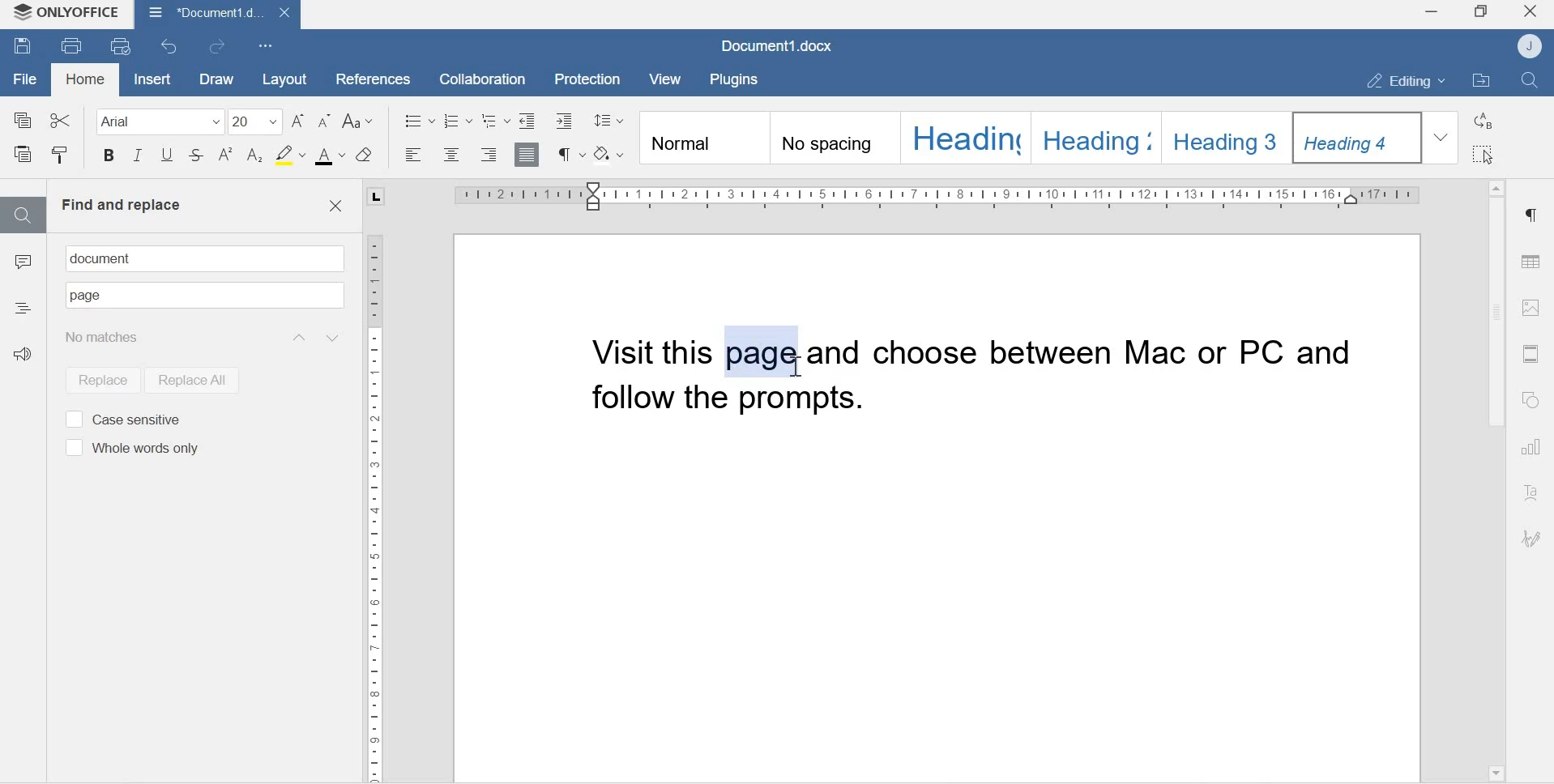 The height and width of the screenshot is (784, 1554). What do you see at coordinates (155, 121) in the screenshot?
I see `Font` at bounding box center [155, 121].